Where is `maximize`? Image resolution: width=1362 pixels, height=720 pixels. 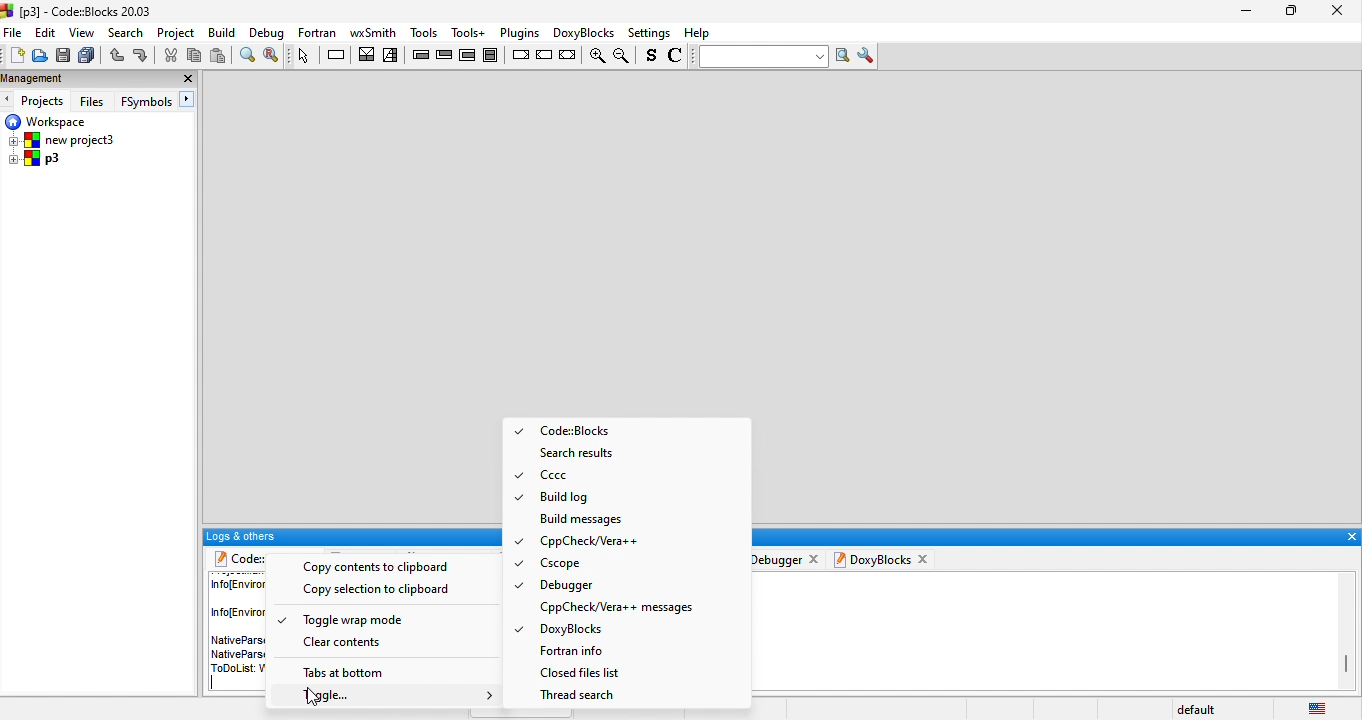 maximize is located at coordinates (1286, 12).